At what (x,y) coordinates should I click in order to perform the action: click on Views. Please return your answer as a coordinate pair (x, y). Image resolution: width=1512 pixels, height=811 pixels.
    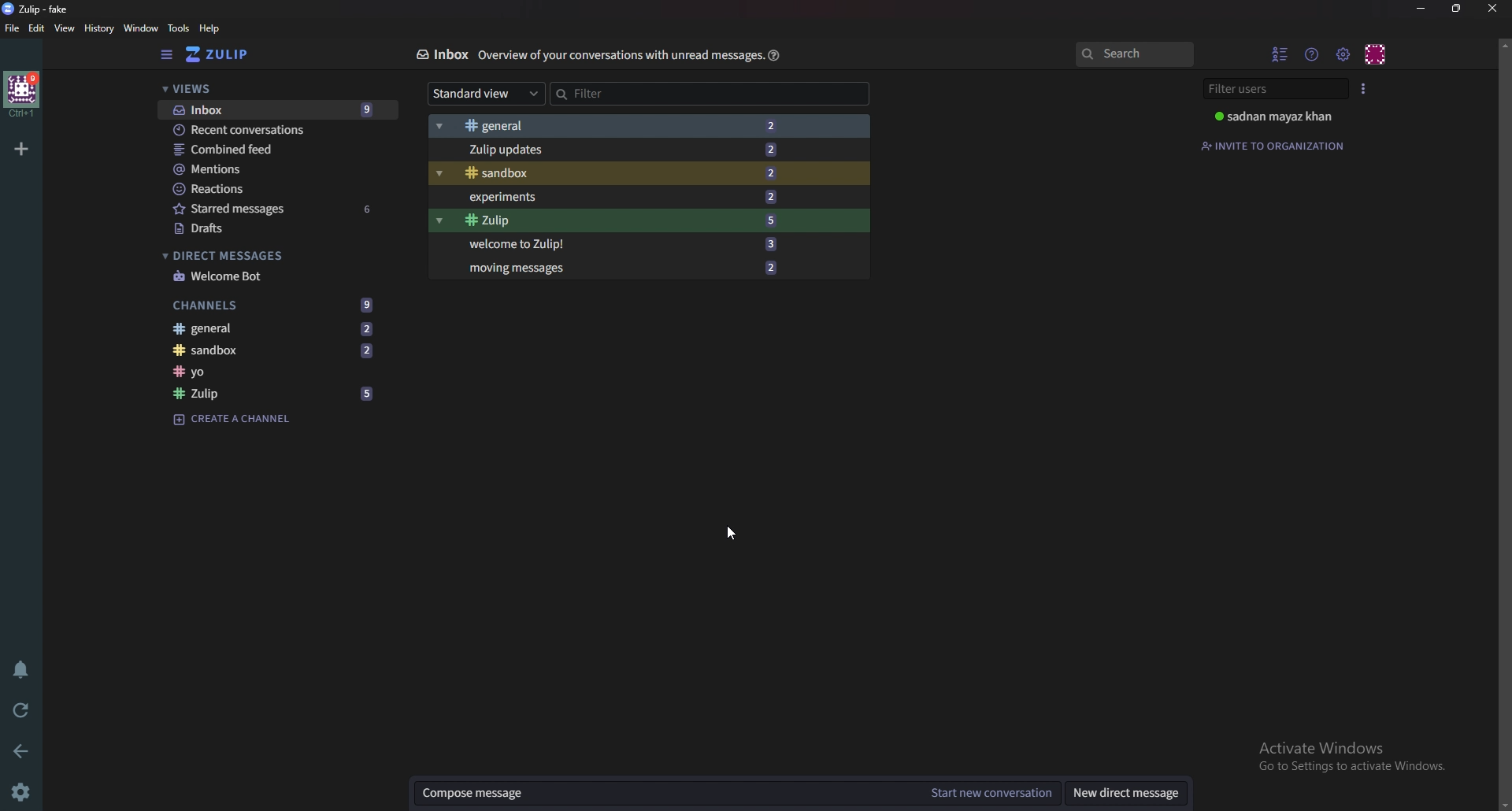
    Looking at the image, I should click on (269, 90).